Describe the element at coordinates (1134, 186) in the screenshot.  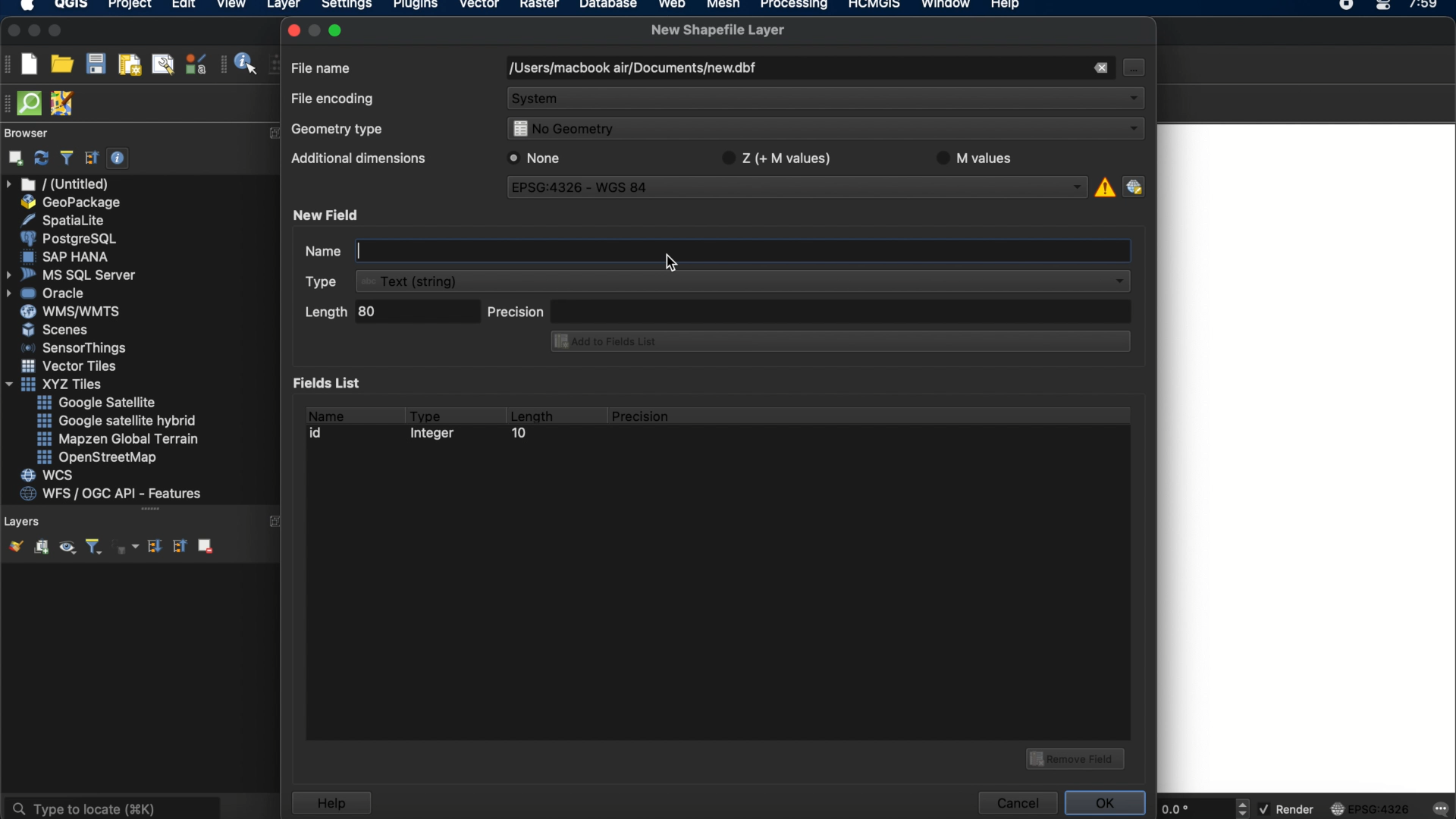
I see `select crs` at that location.